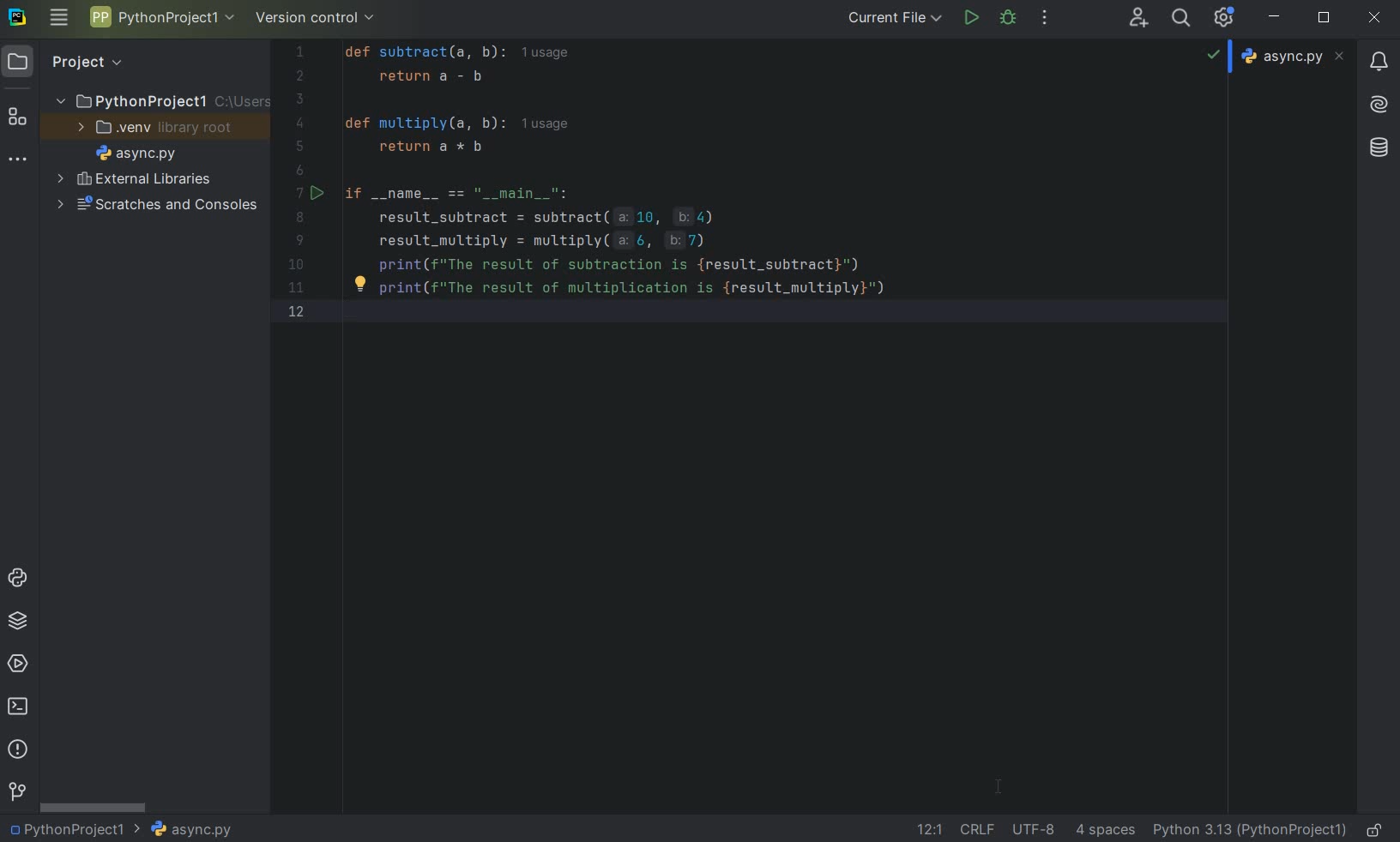  I want to click on project, so click(68, 61).